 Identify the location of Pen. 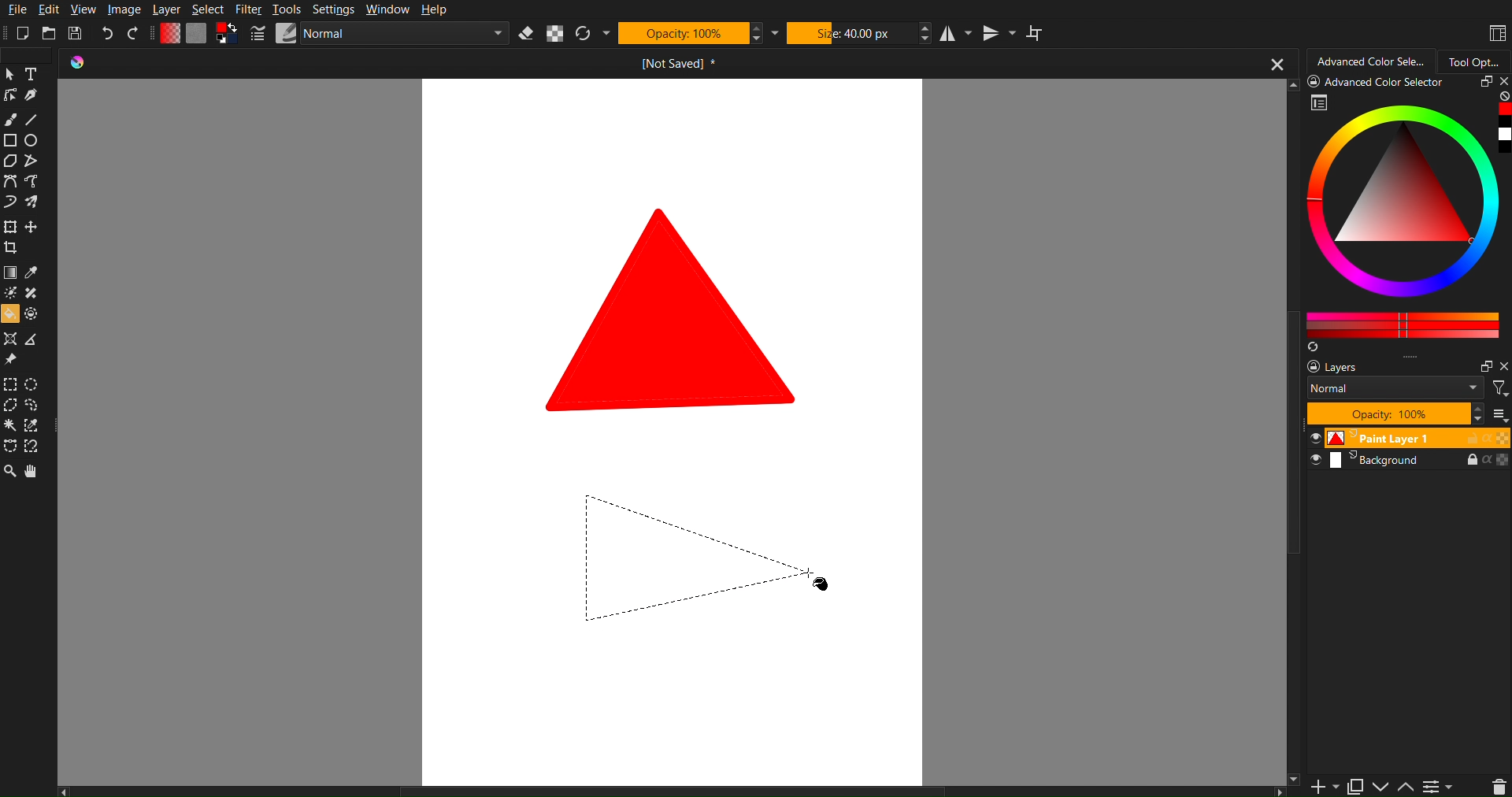
(32, 97).